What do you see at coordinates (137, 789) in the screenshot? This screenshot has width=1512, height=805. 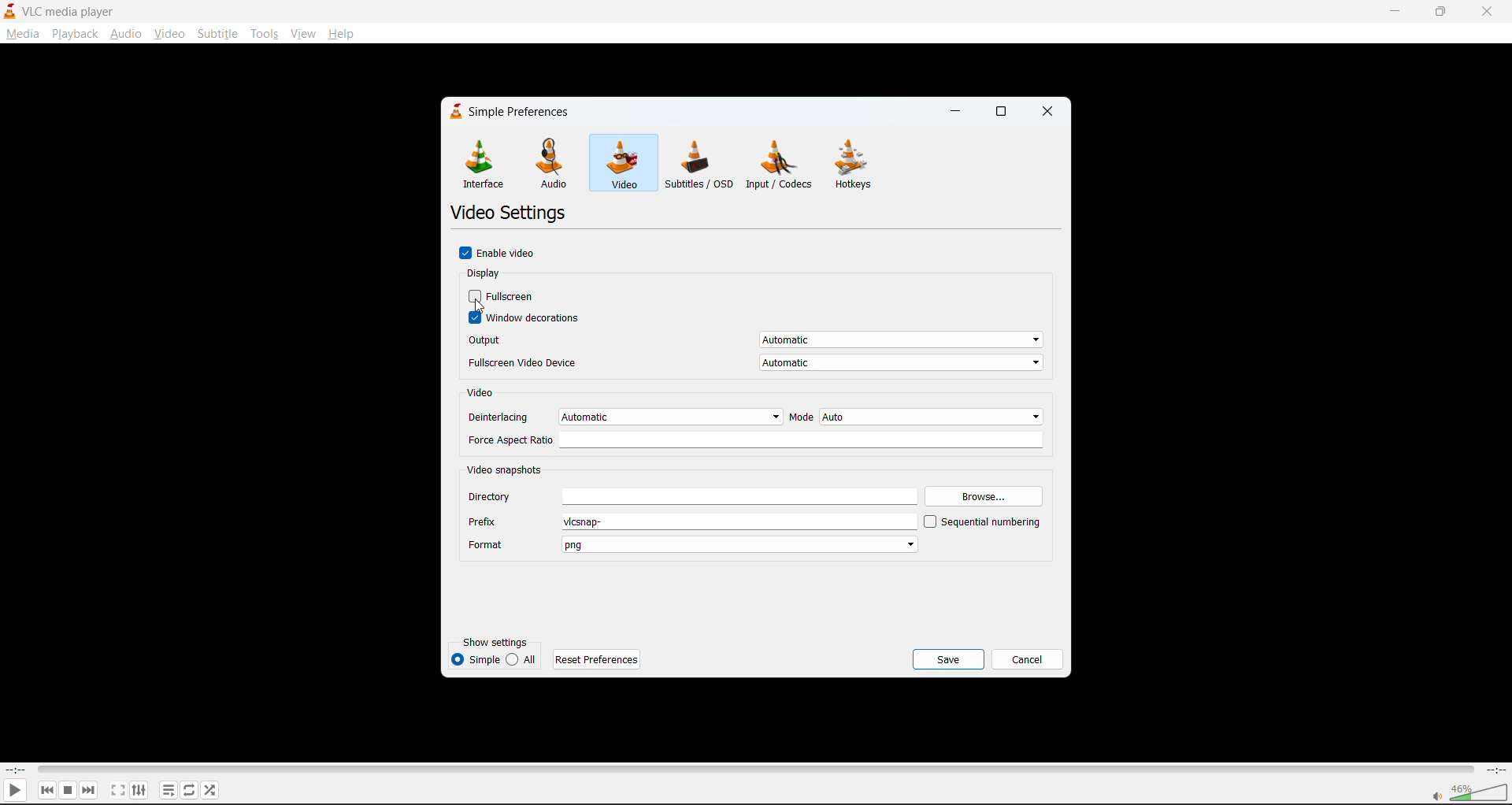 I see `settings` at bounding box center [137, 789].